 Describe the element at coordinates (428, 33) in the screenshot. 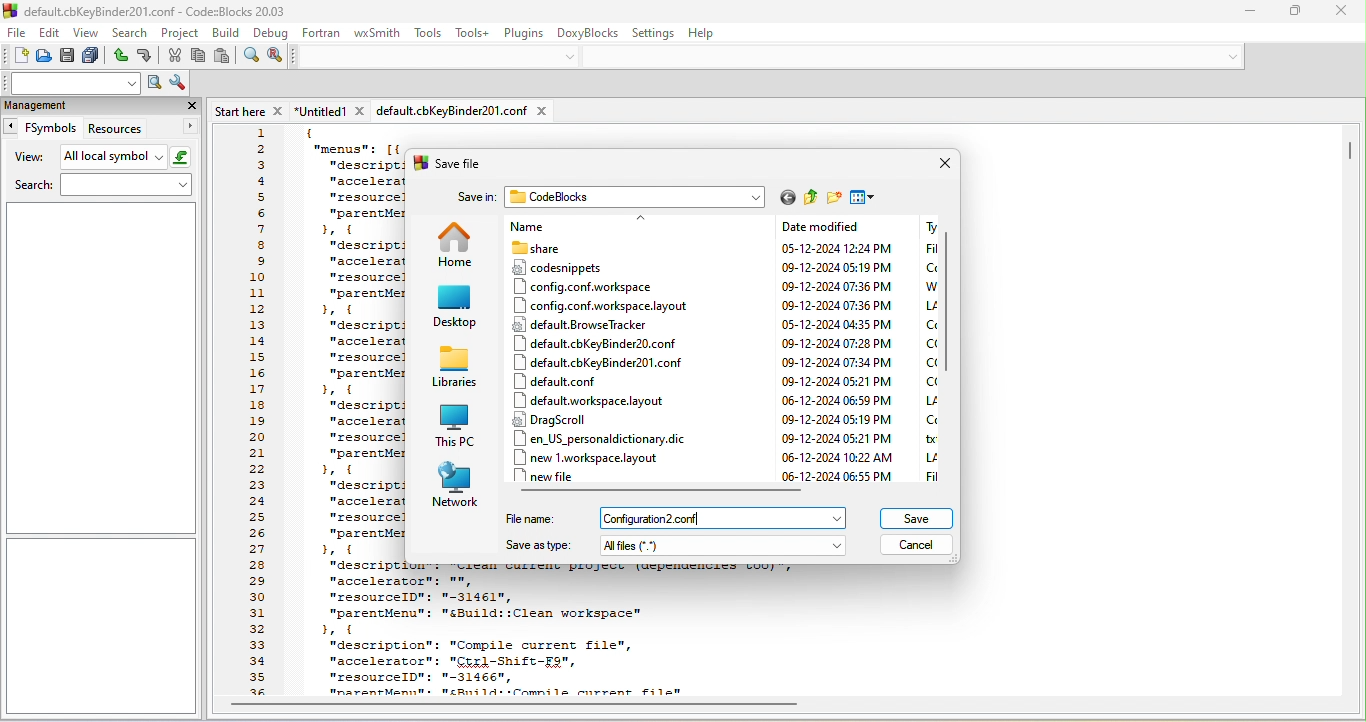

I see `tools` at that location.